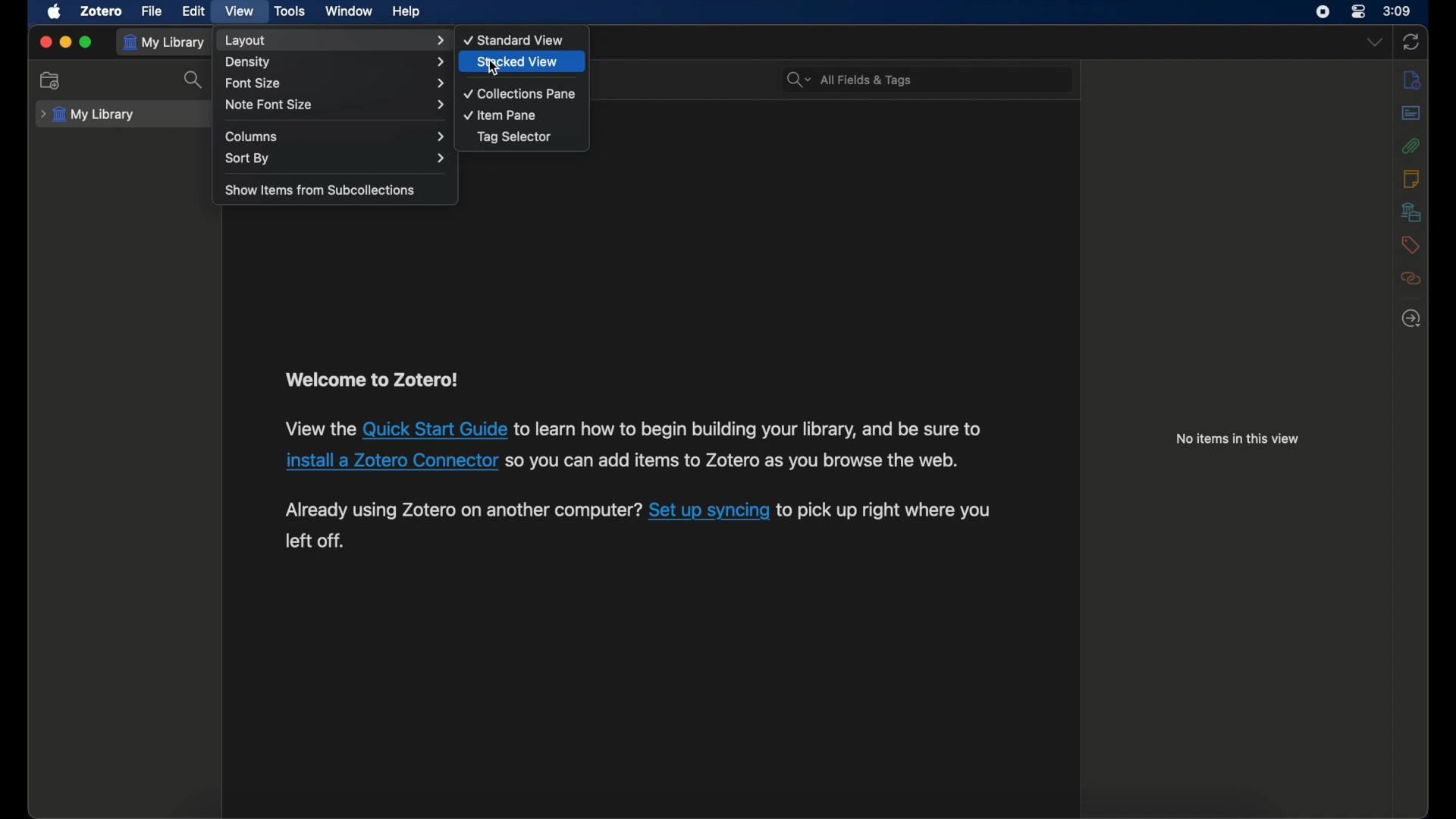  I want to click on item pane, so click(501, 115).